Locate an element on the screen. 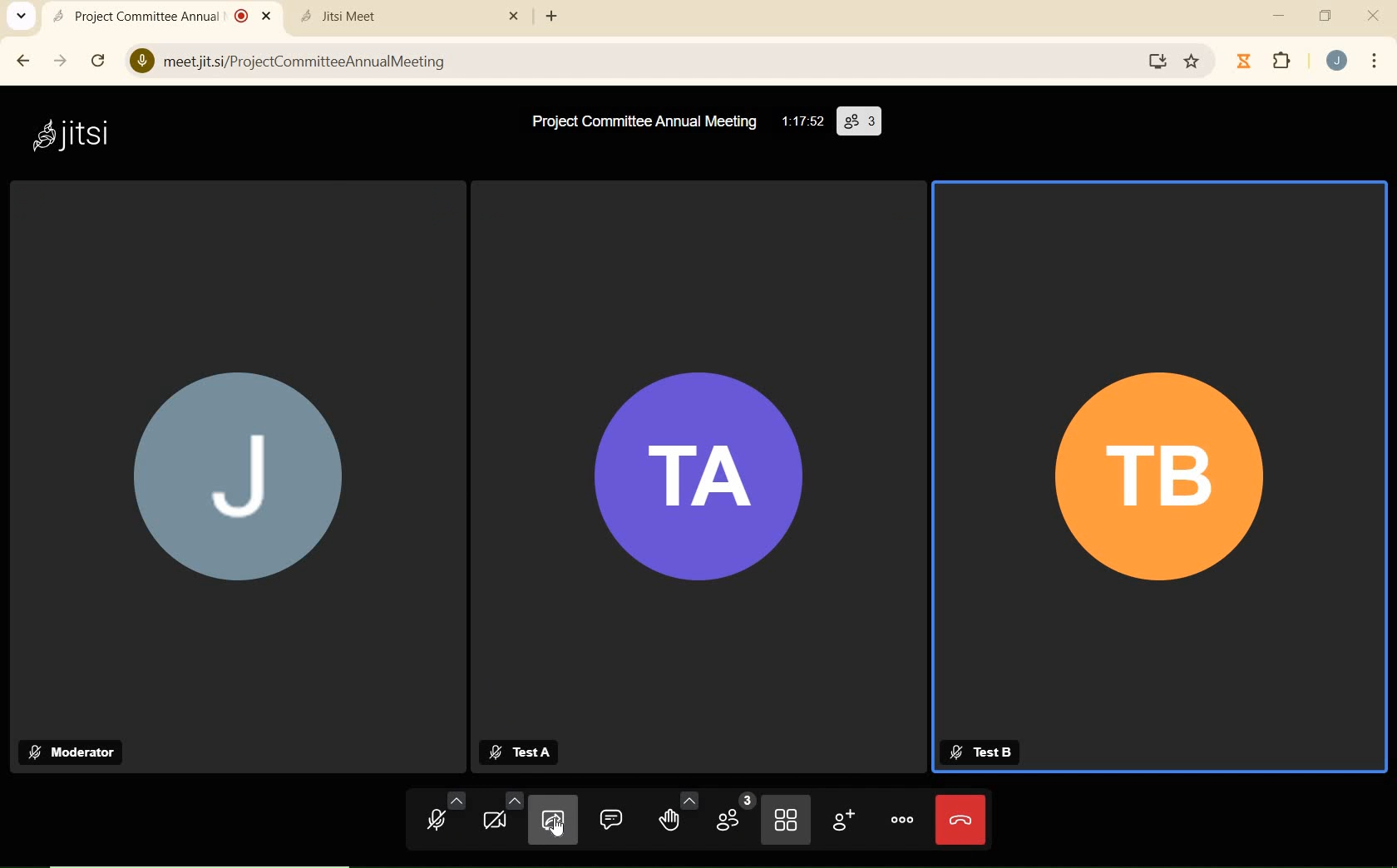 The image size is (1397, 868). Jitsi Meet is located at coordinates (408, 17).